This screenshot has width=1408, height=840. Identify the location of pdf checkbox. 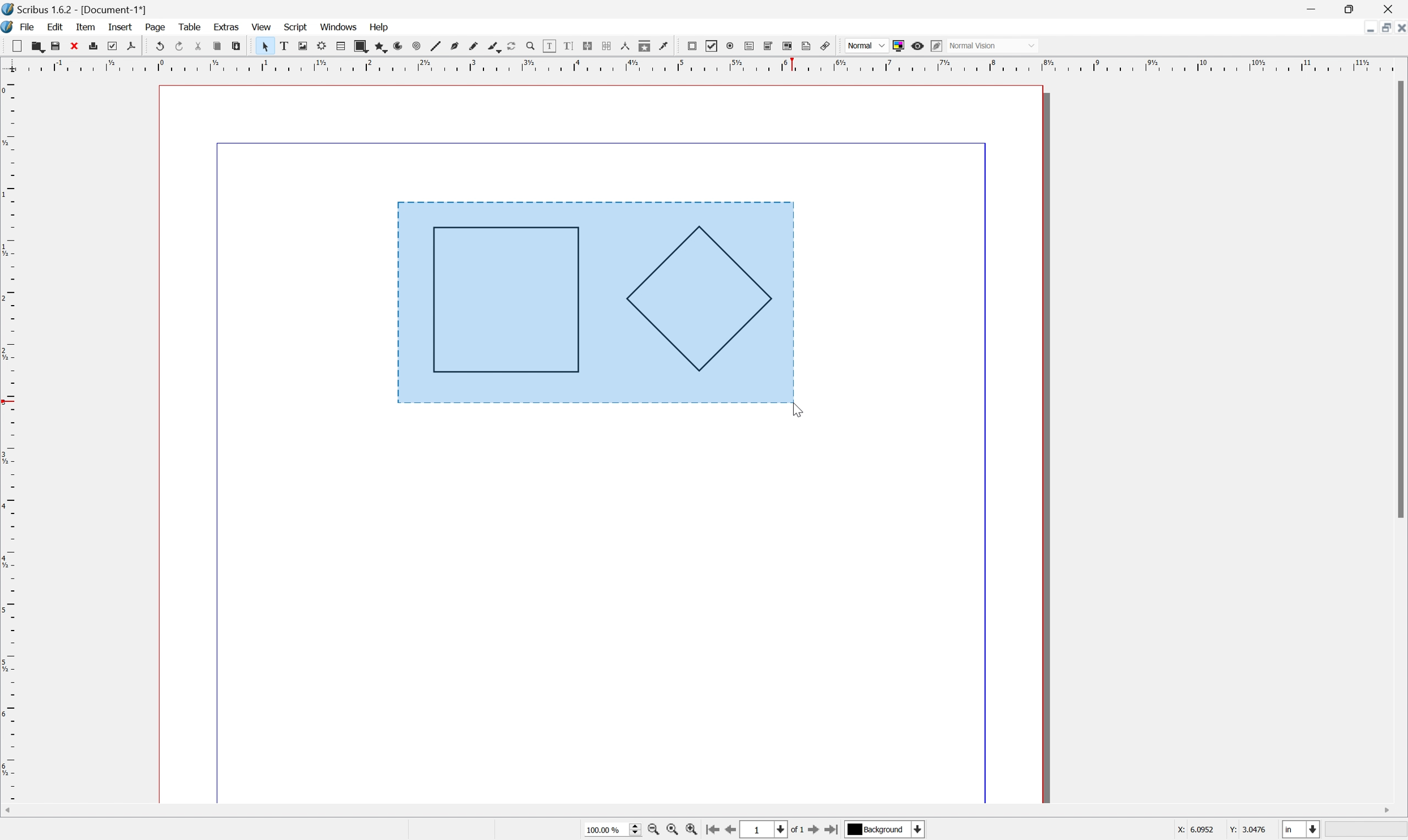
(711, 46).